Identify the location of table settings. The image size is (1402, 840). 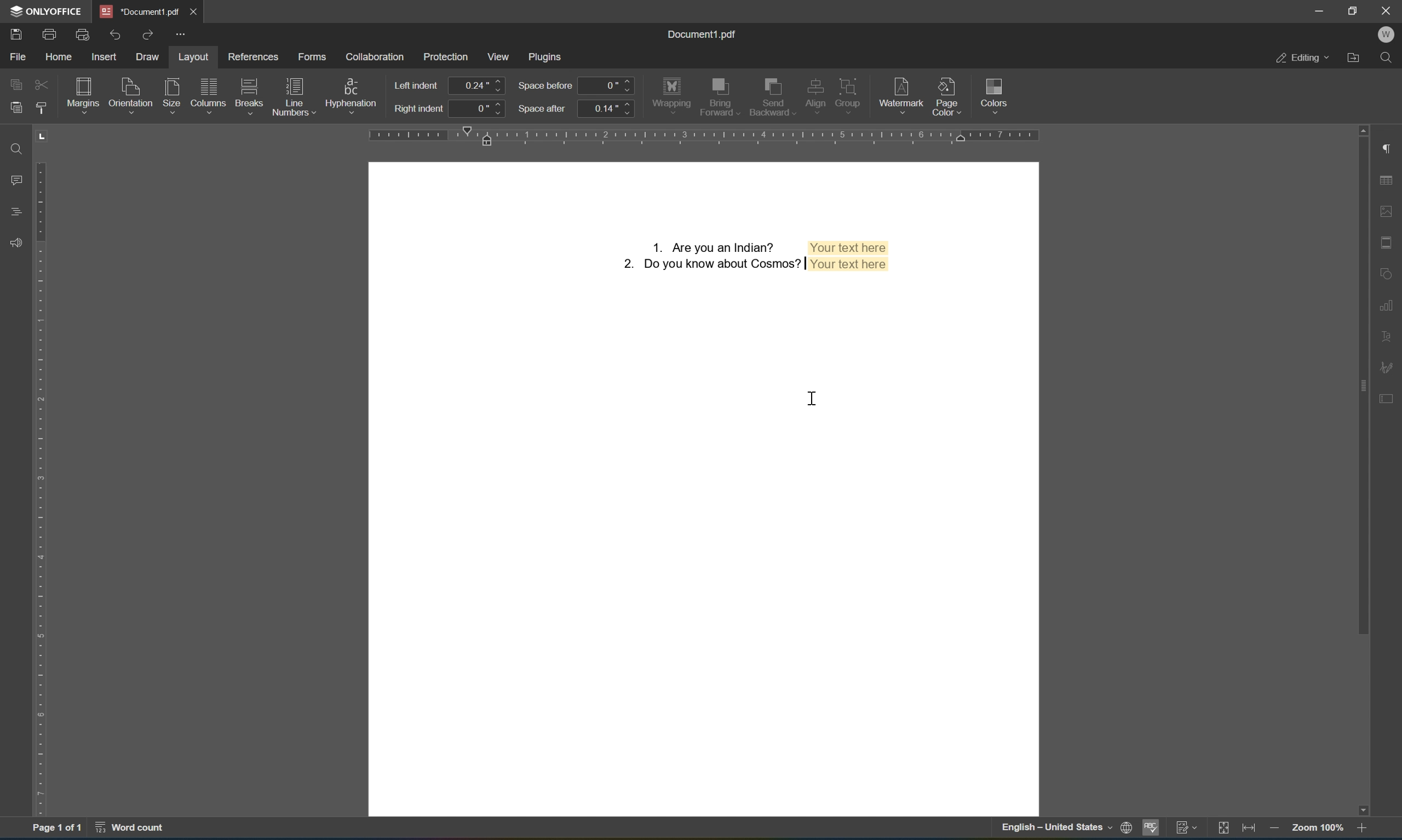
(1390, 182).